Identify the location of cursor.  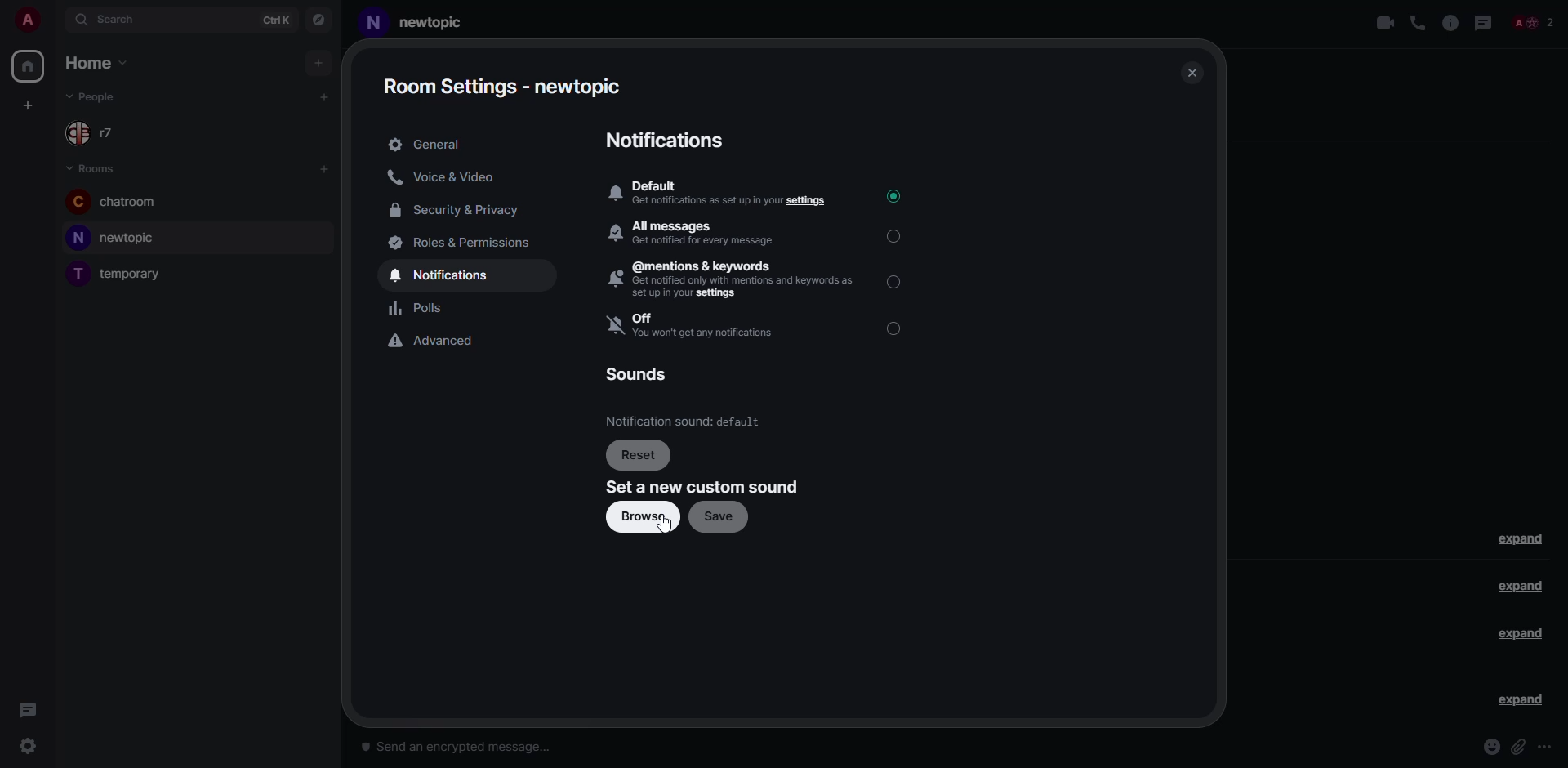
(672, 525).